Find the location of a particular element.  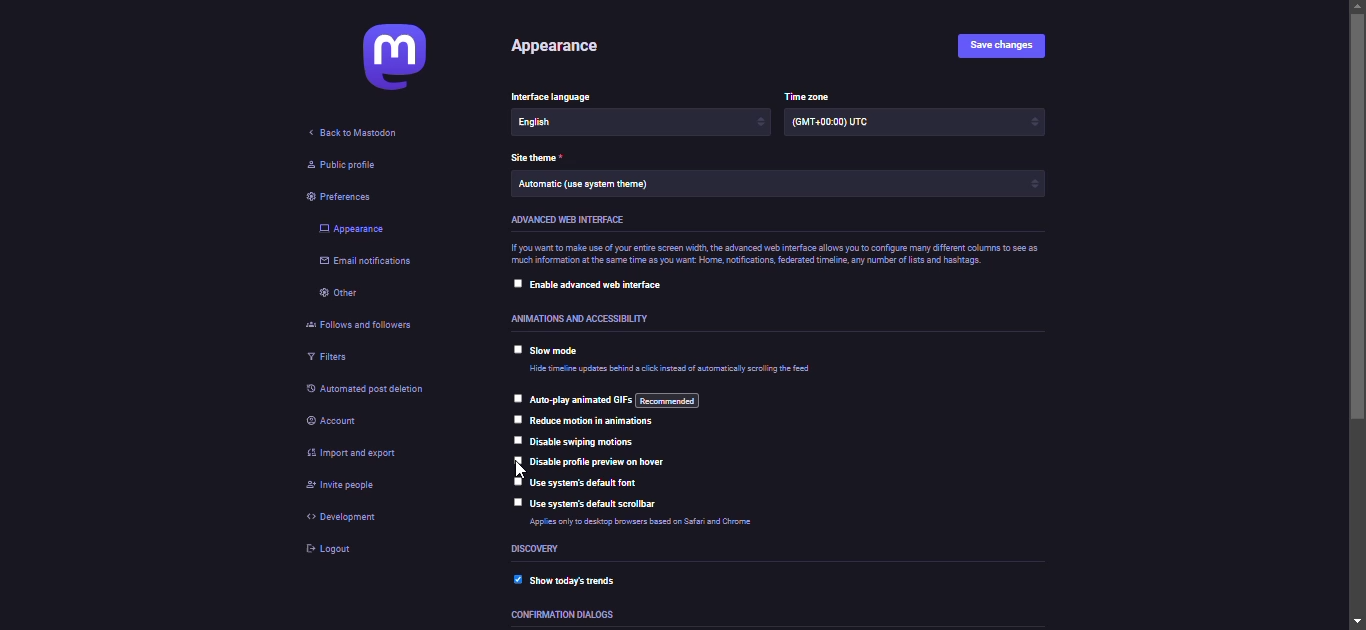

automated post deletion is located at coordinates (376, 388).